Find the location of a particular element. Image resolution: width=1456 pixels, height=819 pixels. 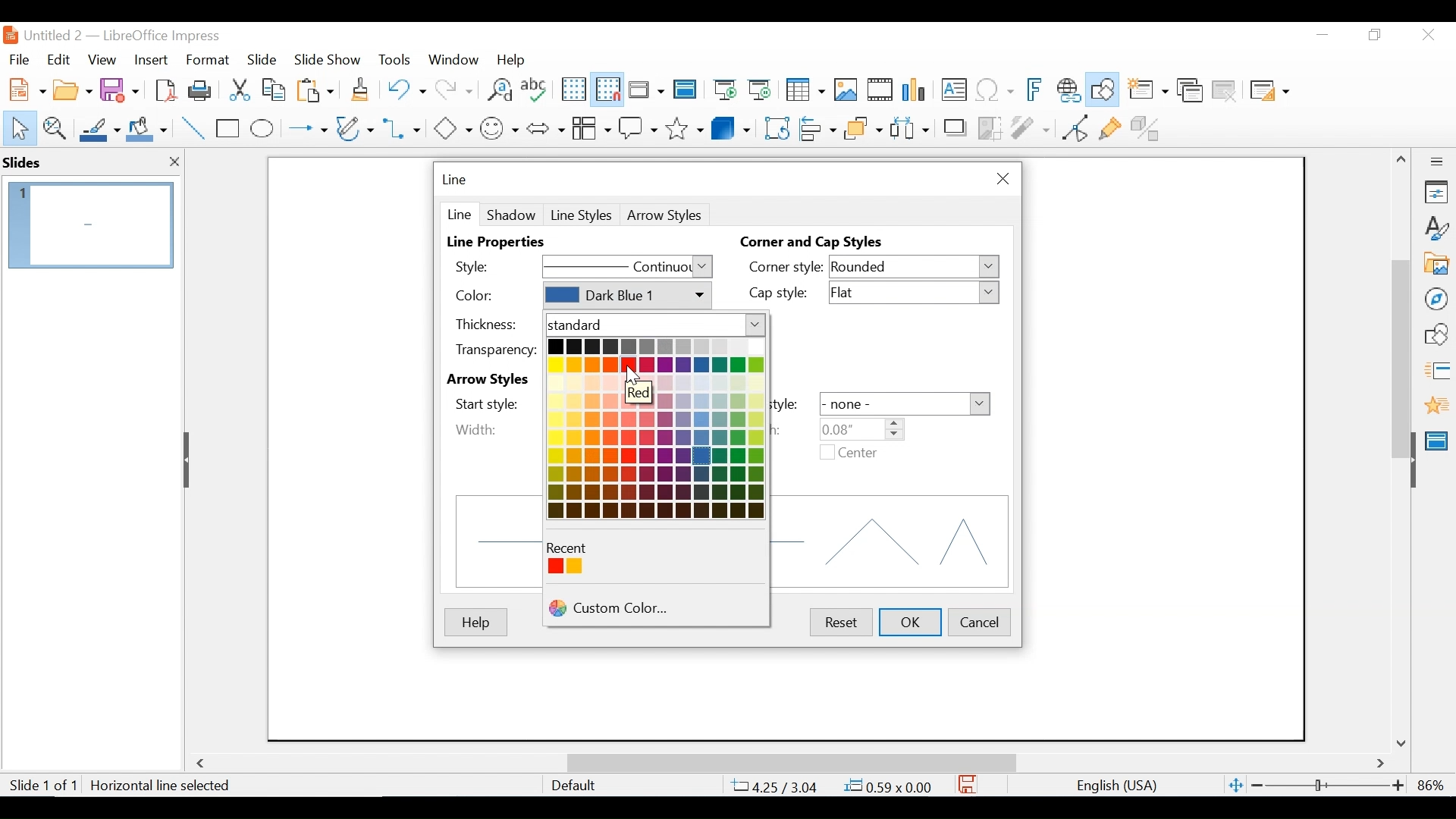

Print is located at coordinates (201, 89).